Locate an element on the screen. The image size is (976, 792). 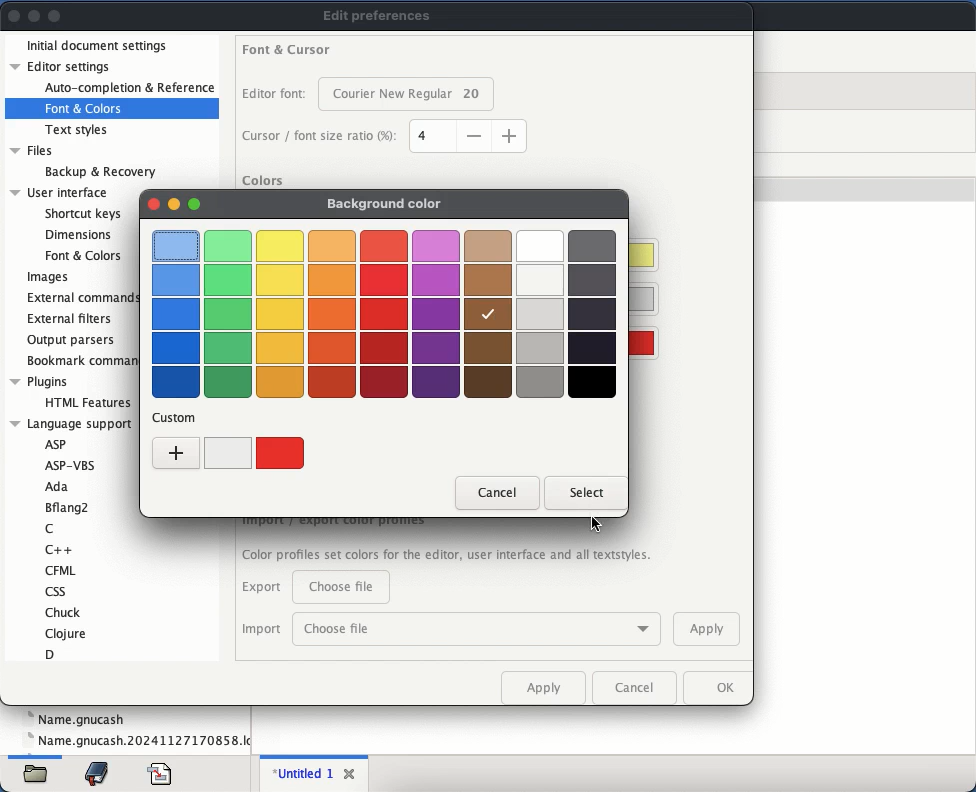
external commands is located at coordinates (80, 297).